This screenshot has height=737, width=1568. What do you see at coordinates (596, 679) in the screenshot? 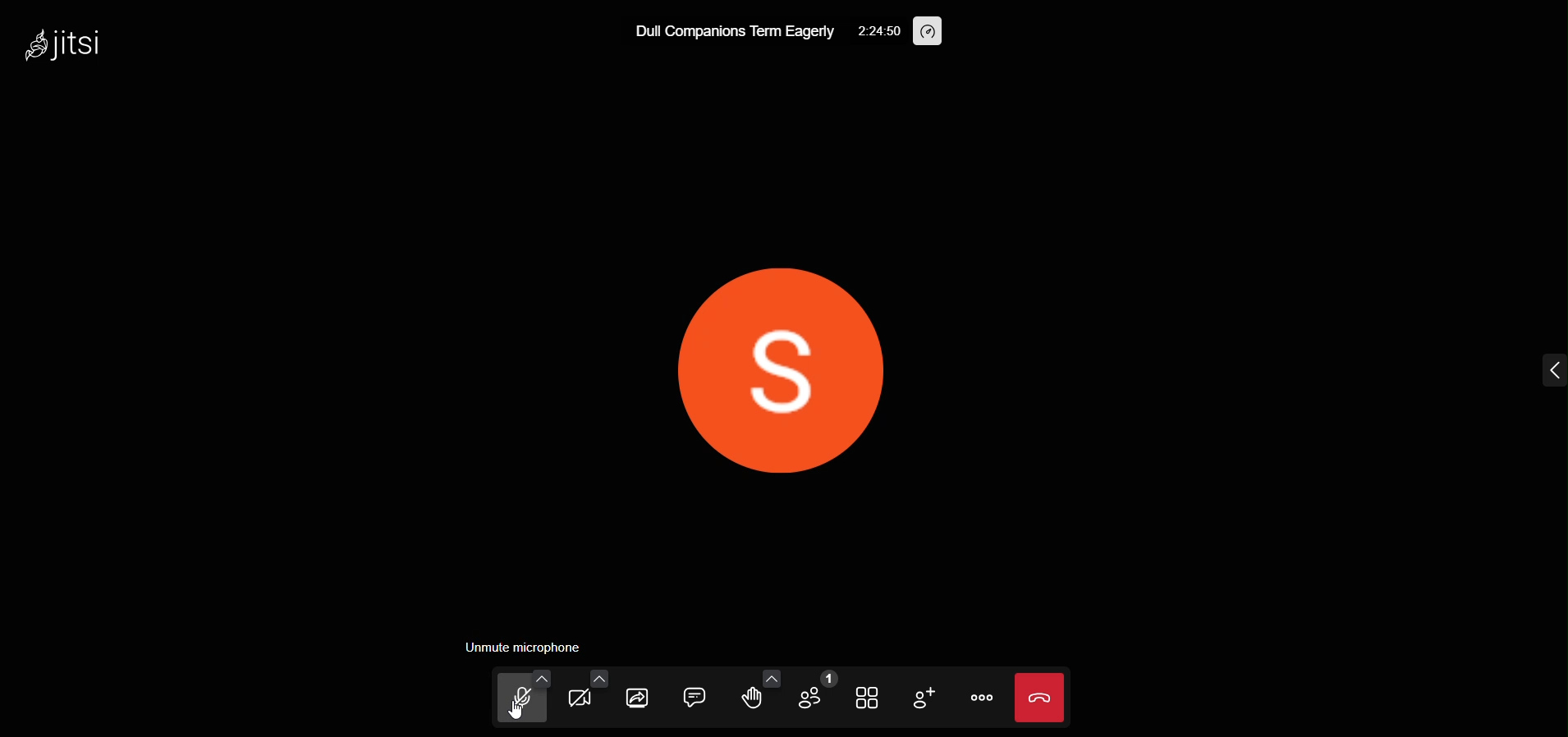
I see `video setting` at bounding box center [596, 679].